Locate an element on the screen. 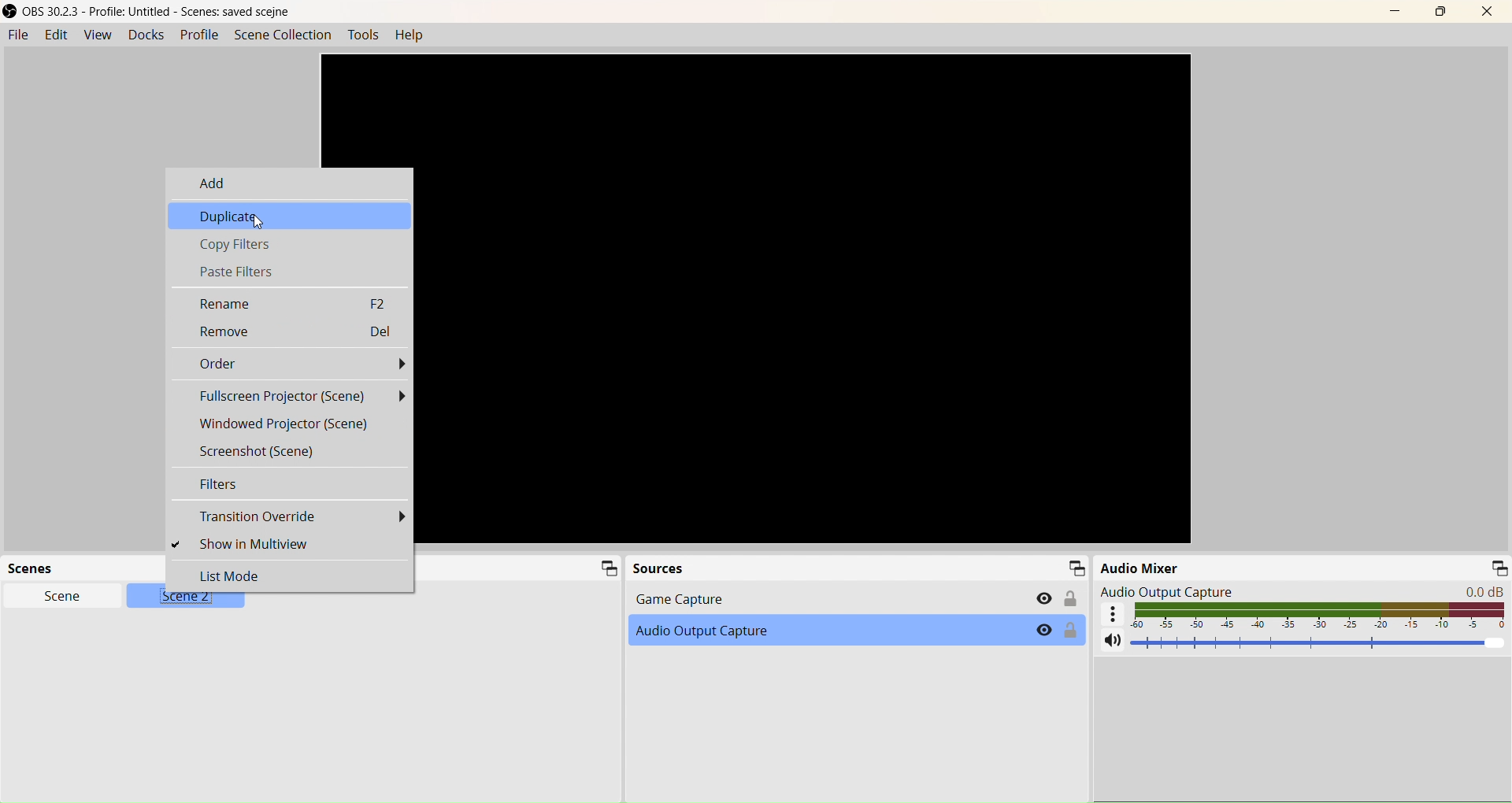  Paste Filters is located at coordinates (287, 268).